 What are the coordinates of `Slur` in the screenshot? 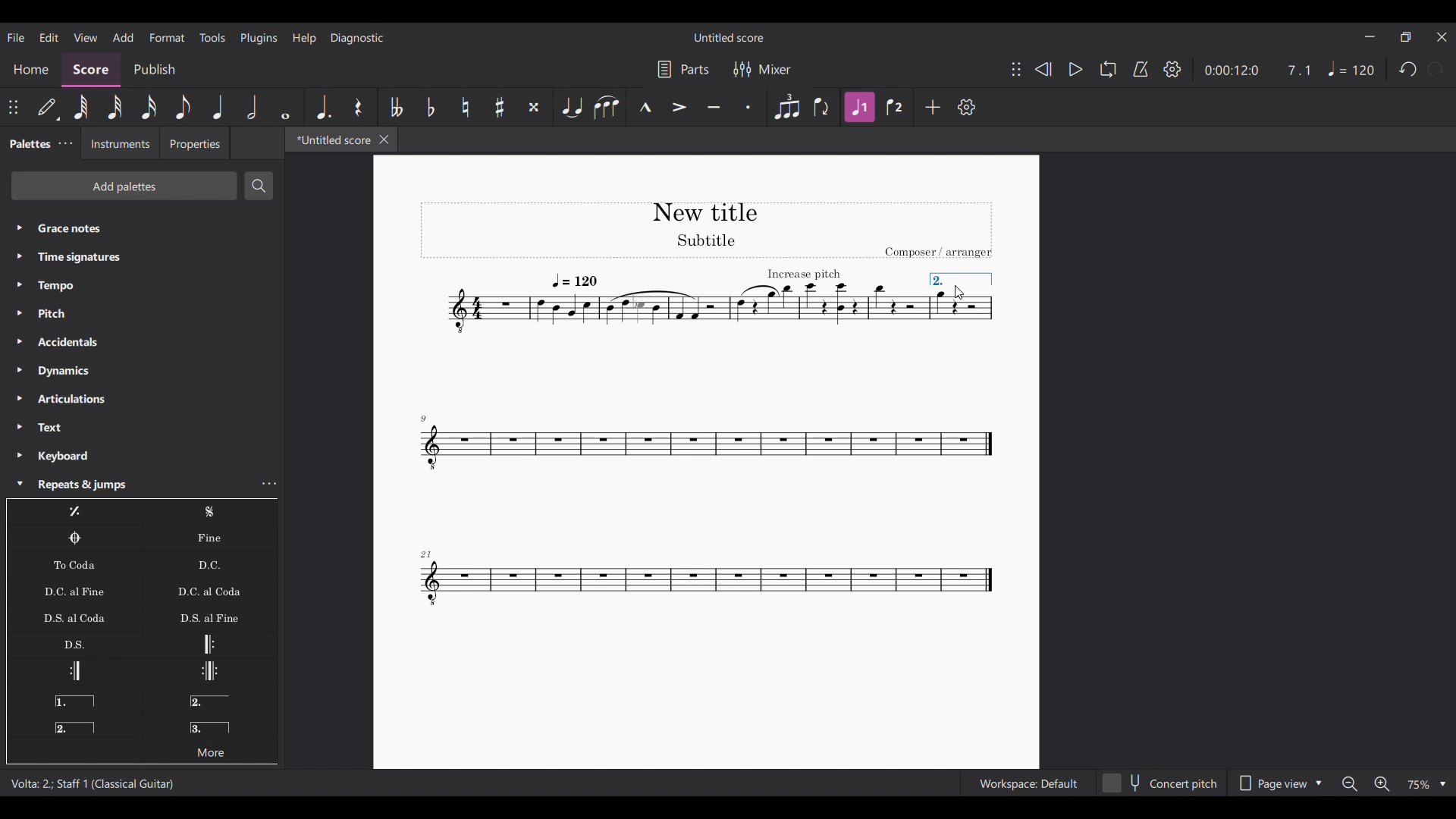 It's located at (607, 107).